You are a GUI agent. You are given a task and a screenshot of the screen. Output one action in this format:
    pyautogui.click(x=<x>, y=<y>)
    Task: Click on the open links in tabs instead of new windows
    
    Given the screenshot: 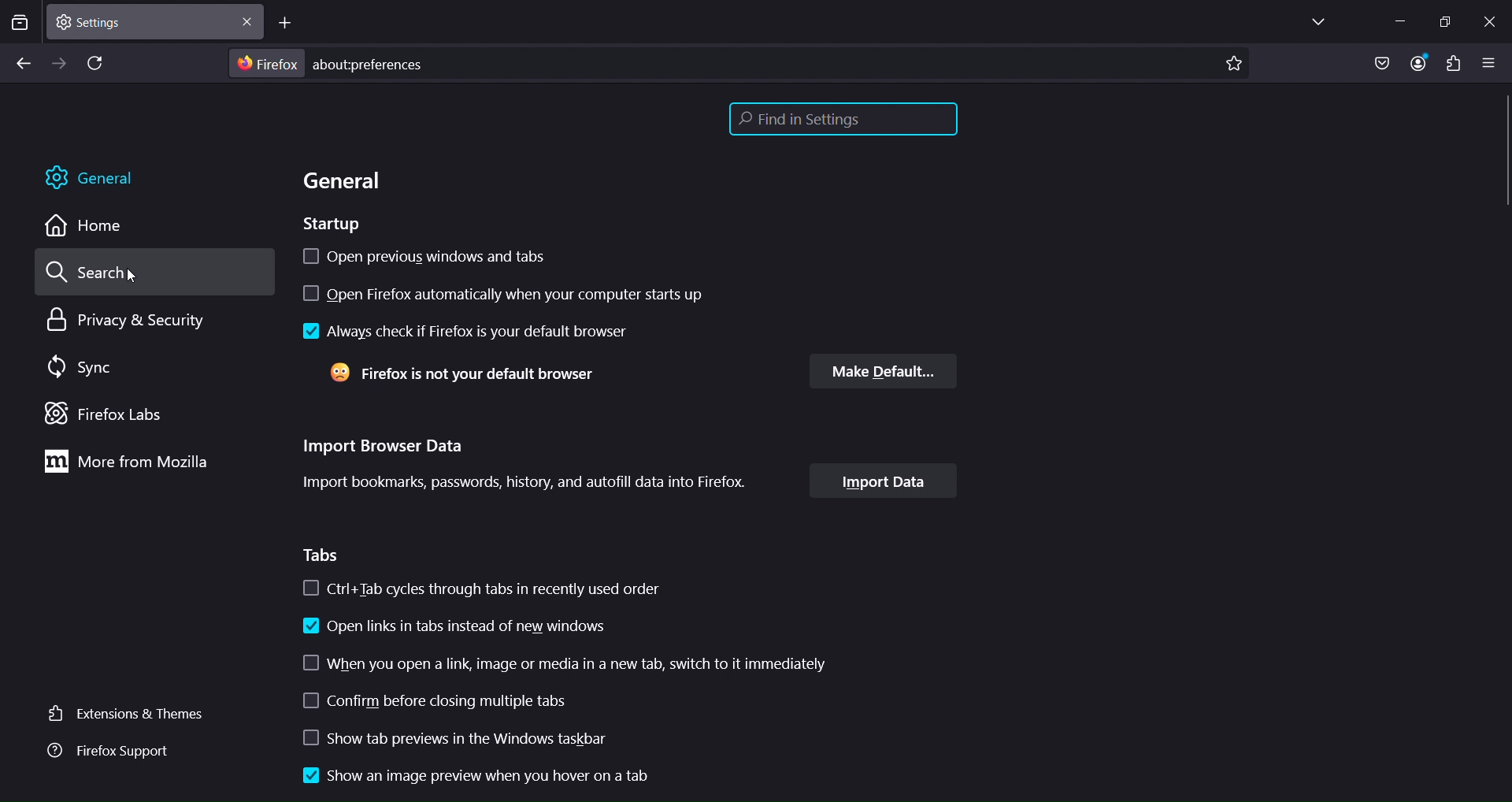 What is the action you would take?
    pyautogui.click(x=453, y=628)
    